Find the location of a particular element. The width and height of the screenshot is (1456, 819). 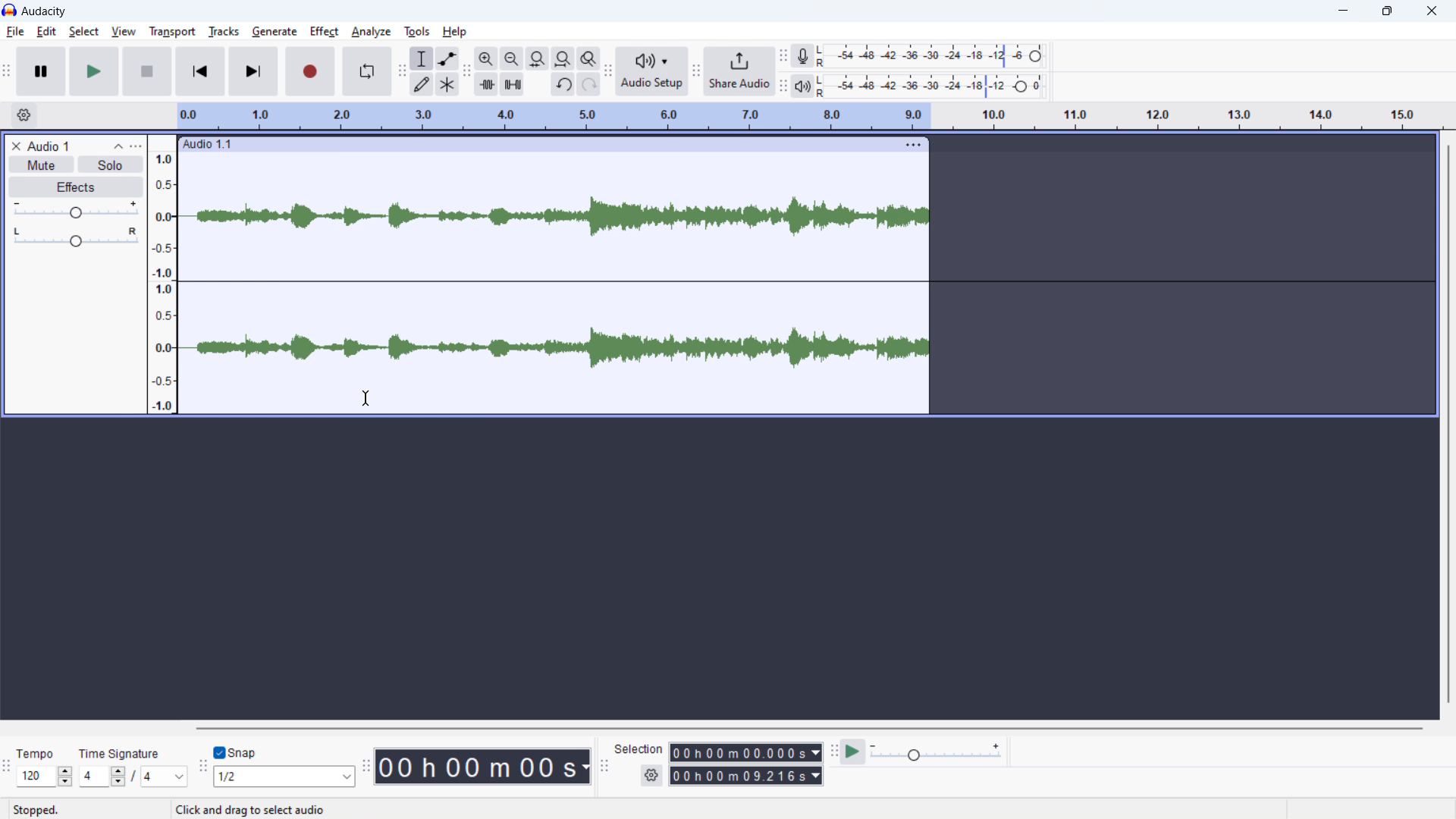

waveform color changed is located at coordinates (554, 281).